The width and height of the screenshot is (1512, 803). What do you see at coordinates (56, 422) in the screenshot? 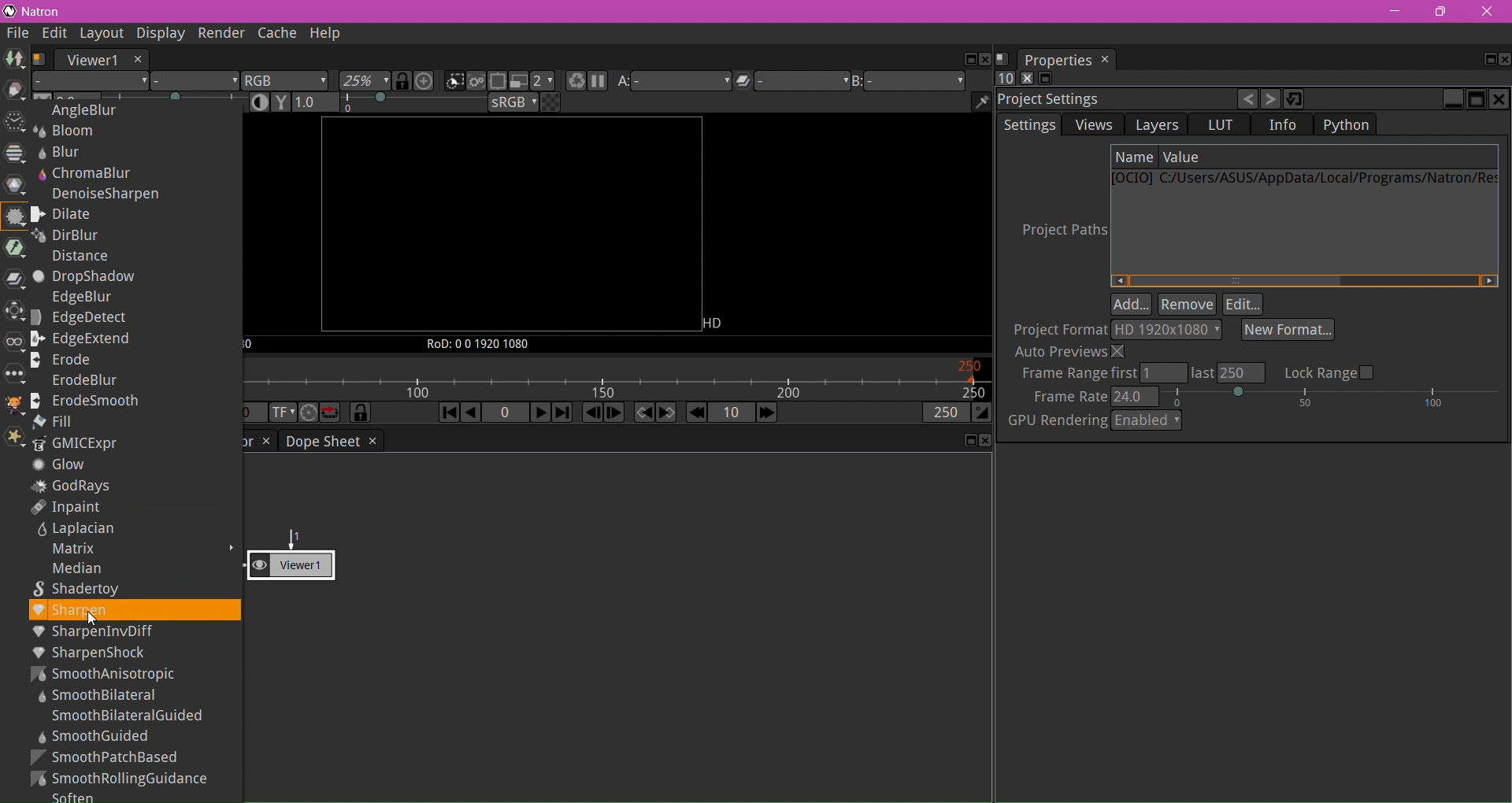
I see `Fill` at bounding box center [56, 422].